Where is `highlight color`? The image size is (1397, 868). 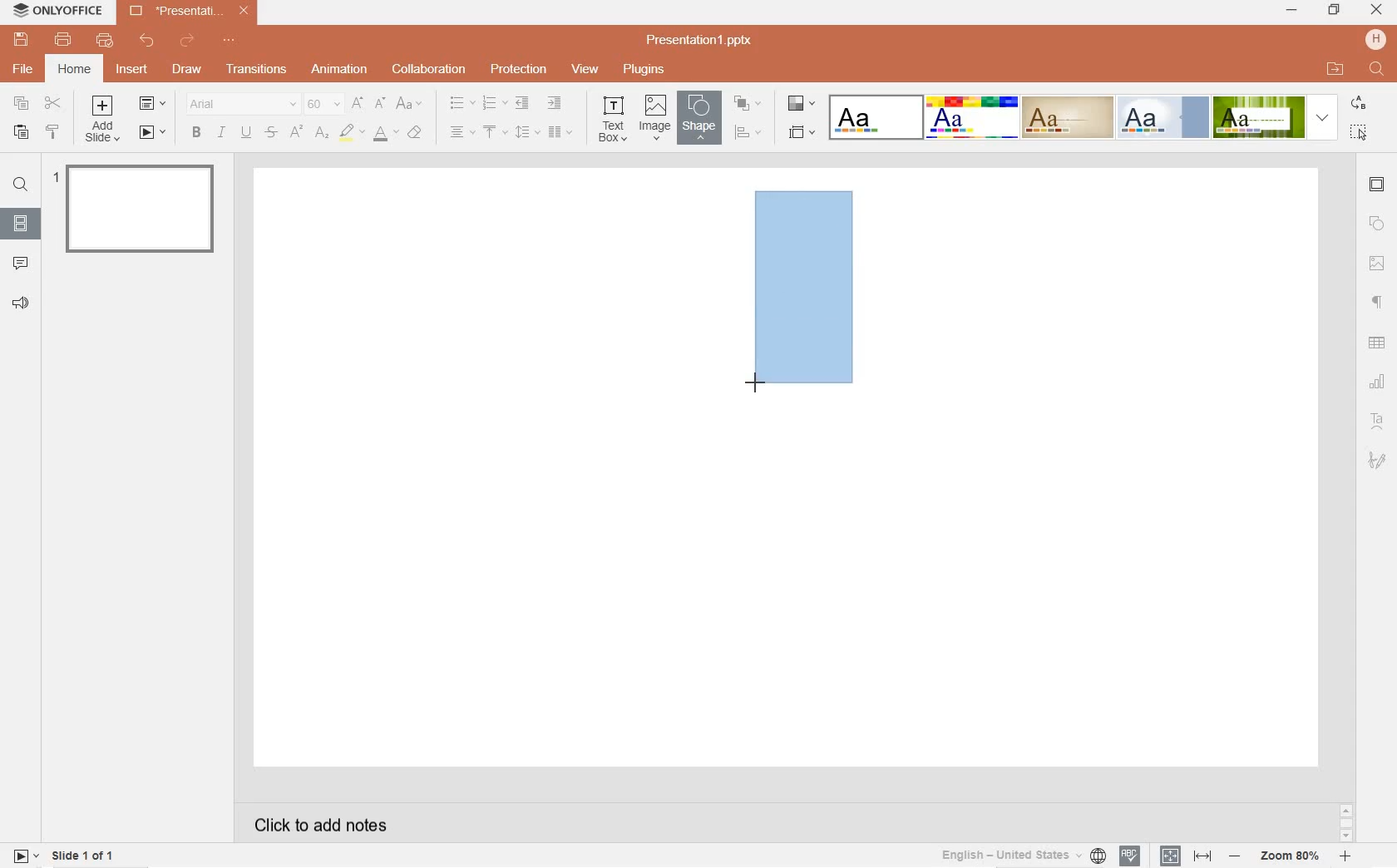 highlight color is located at coordinates (352, 133).